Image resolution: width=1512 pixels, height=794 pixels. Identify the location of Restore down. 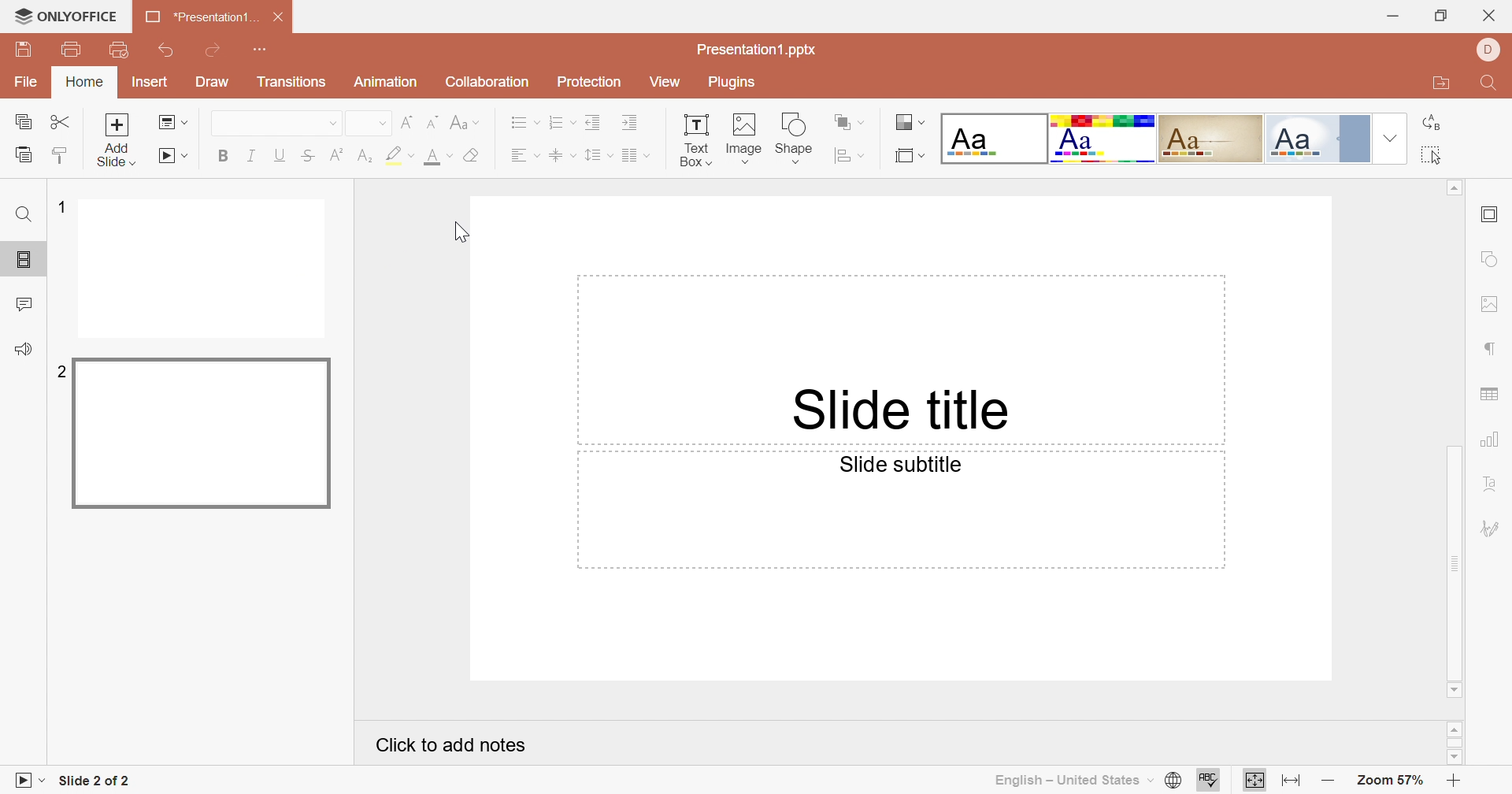
(1438, 14).